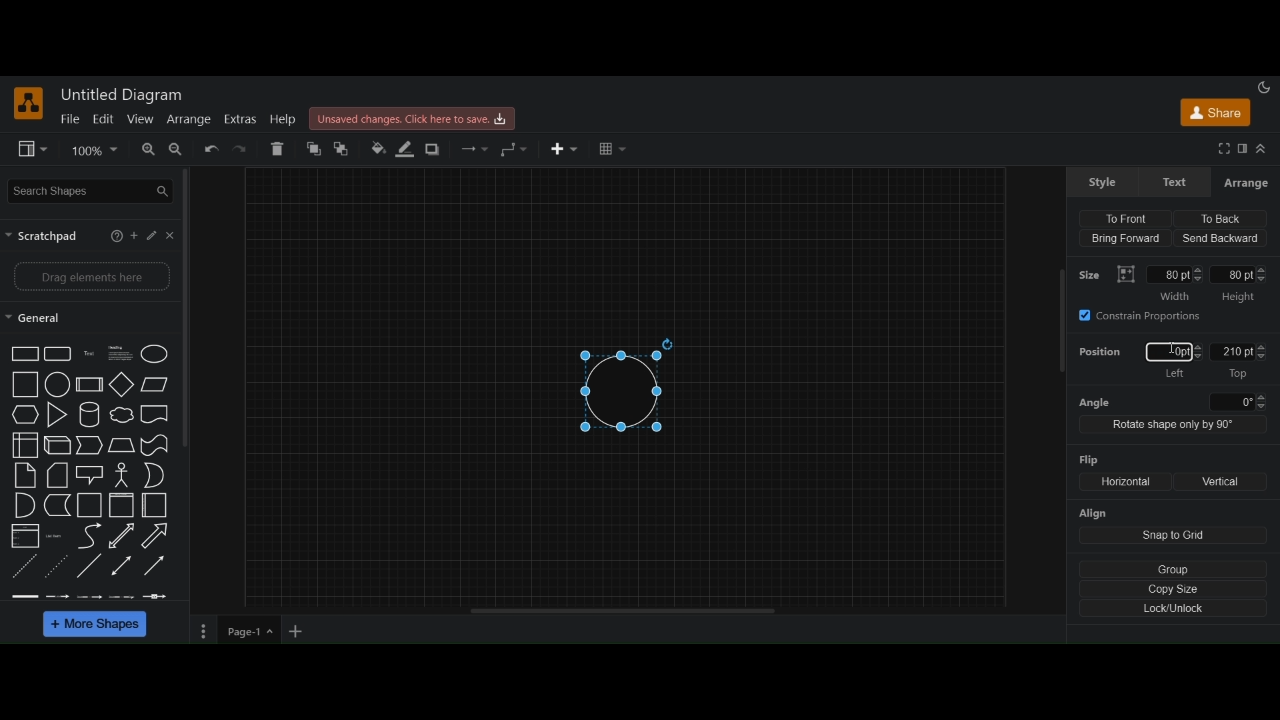 The height and width of the screenshot is (720, 1280). What do you see at coordinates (90, 506) in the screenshot?
I see `Square` at bounding box center [90, 506].